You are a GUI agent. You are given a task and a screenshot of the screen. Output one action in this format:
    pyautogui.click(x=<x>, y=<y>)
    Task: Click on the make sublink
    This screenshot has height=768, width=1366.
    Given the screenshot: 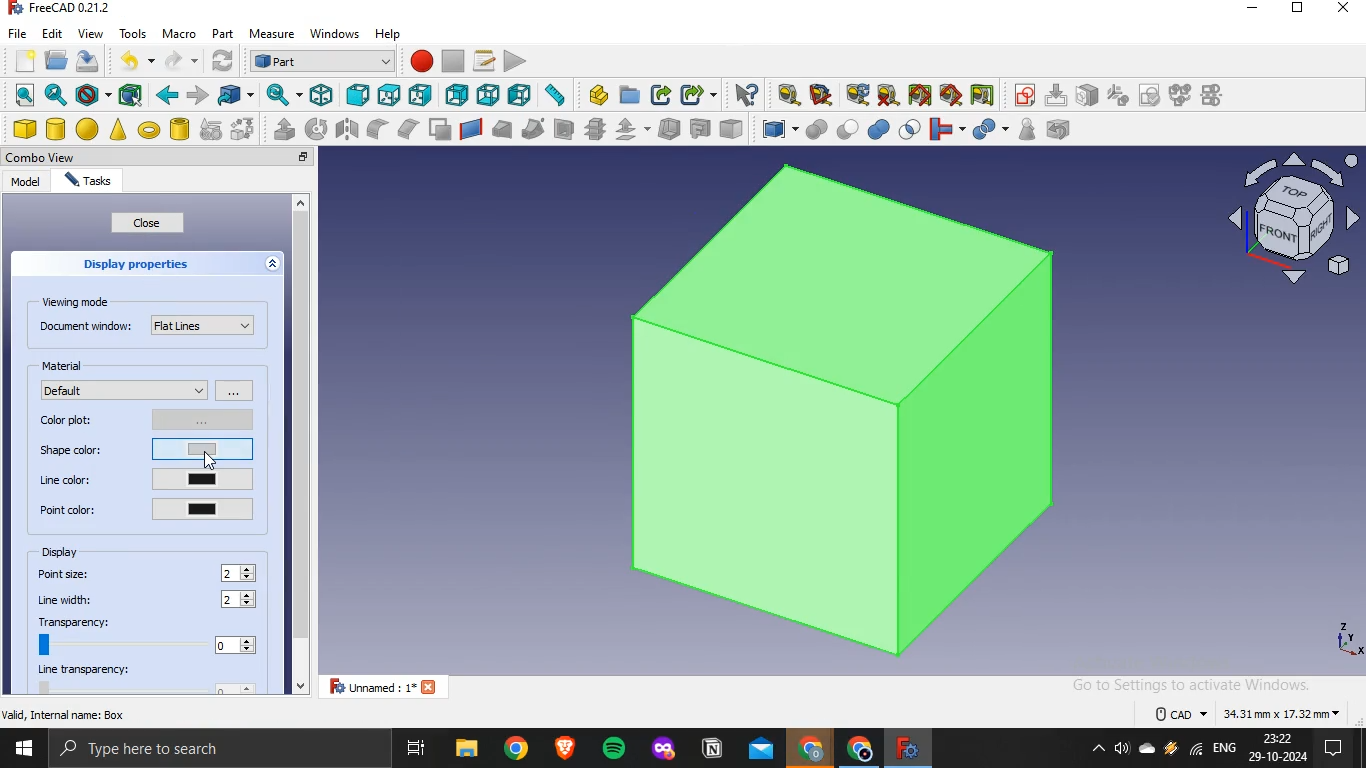 What is the action you would take?
    pyautogui.click(x=694, y=95)
    